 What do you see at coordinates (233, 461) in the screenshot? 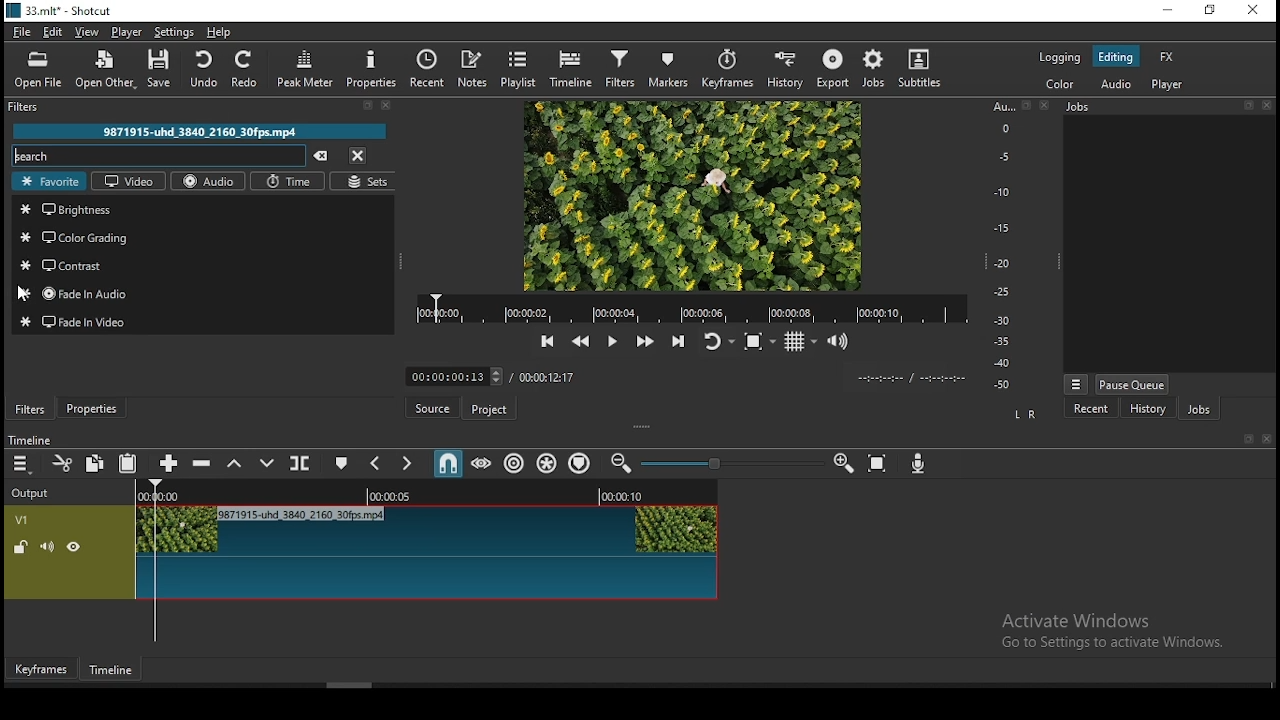
I see `lift` at bounding box center [233, 461].